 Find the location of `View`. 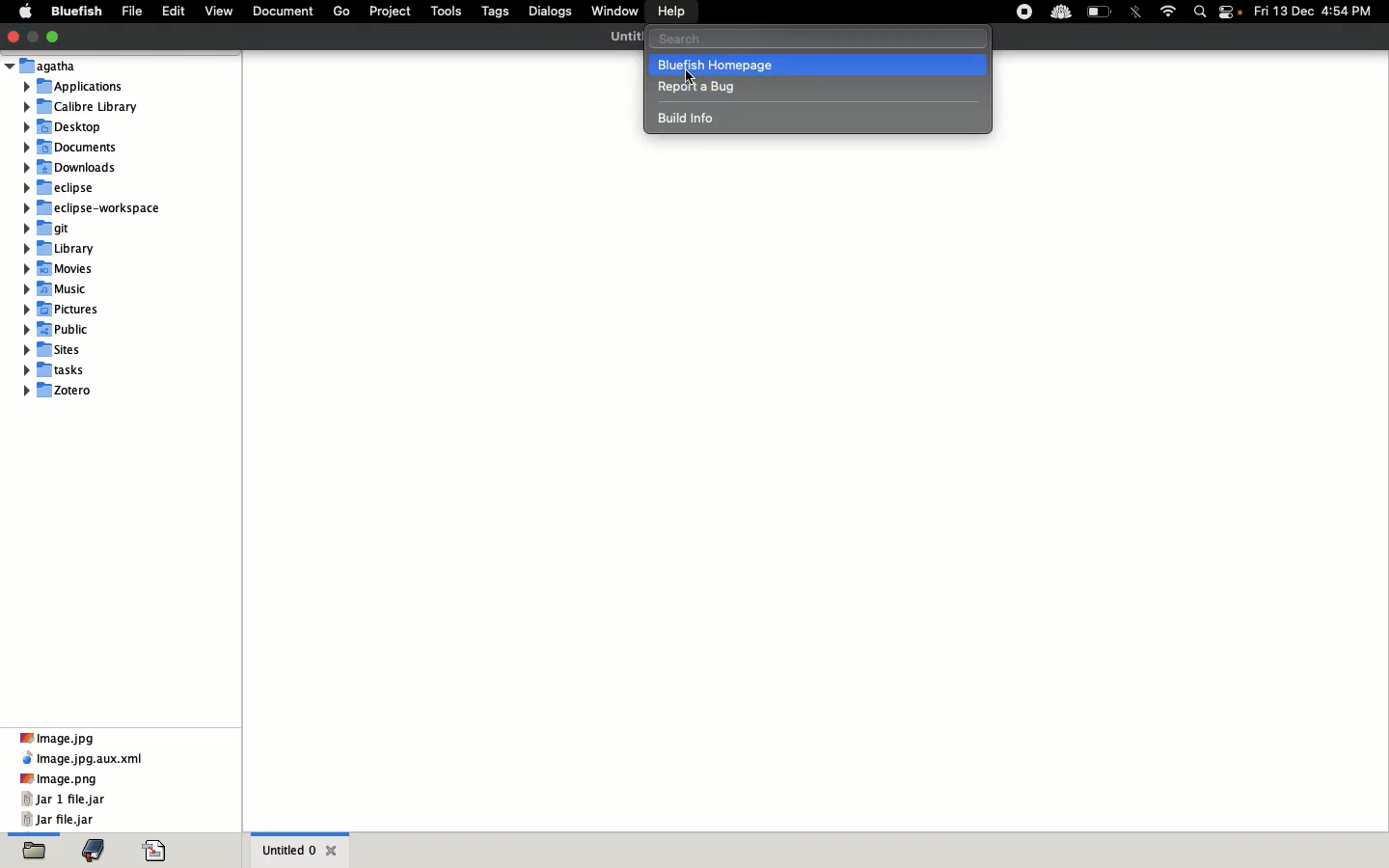

View is located at coordinates (219, 11).